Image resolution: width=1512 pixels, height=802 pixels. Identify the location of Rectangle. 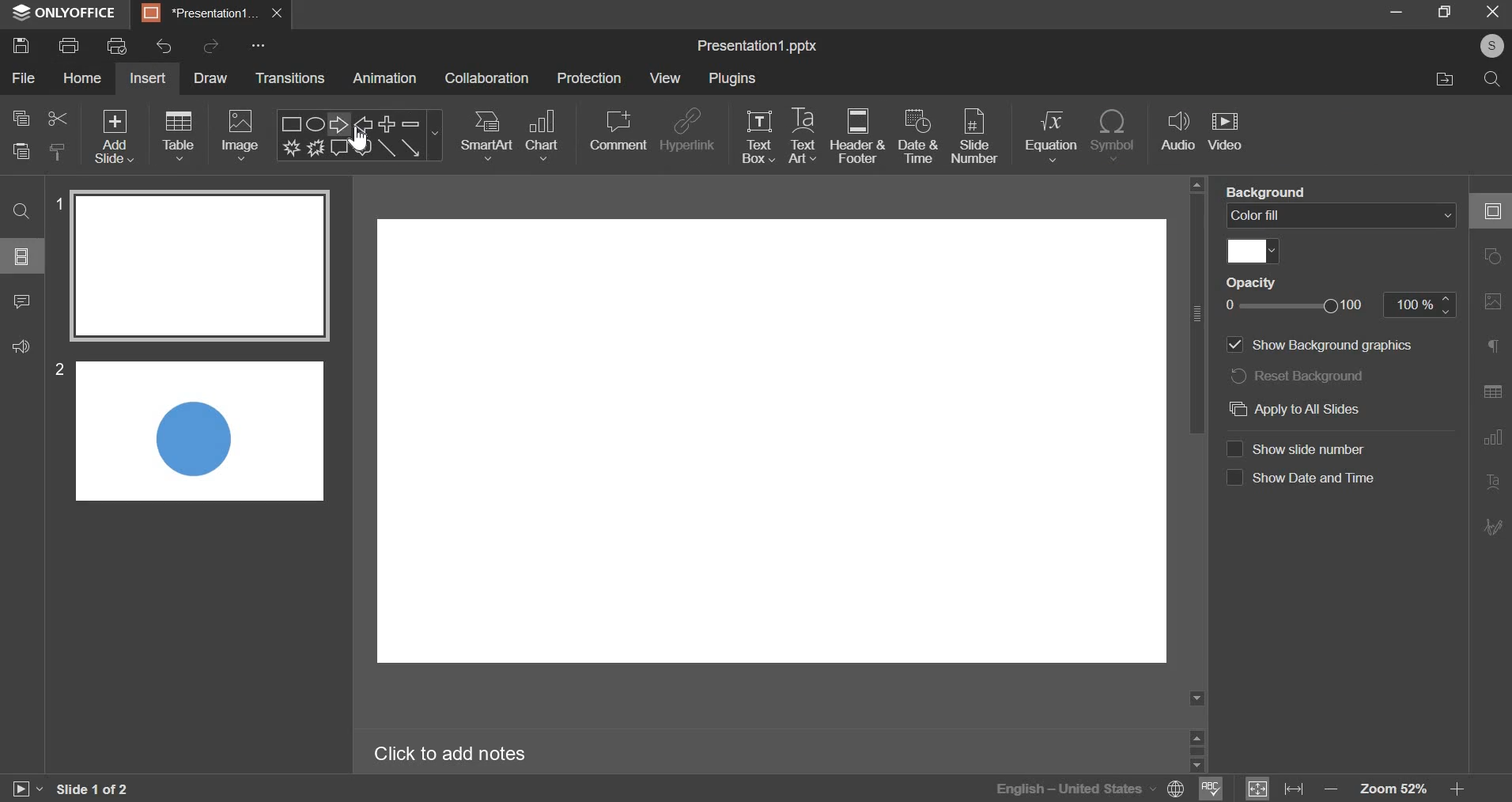
(291, 123).